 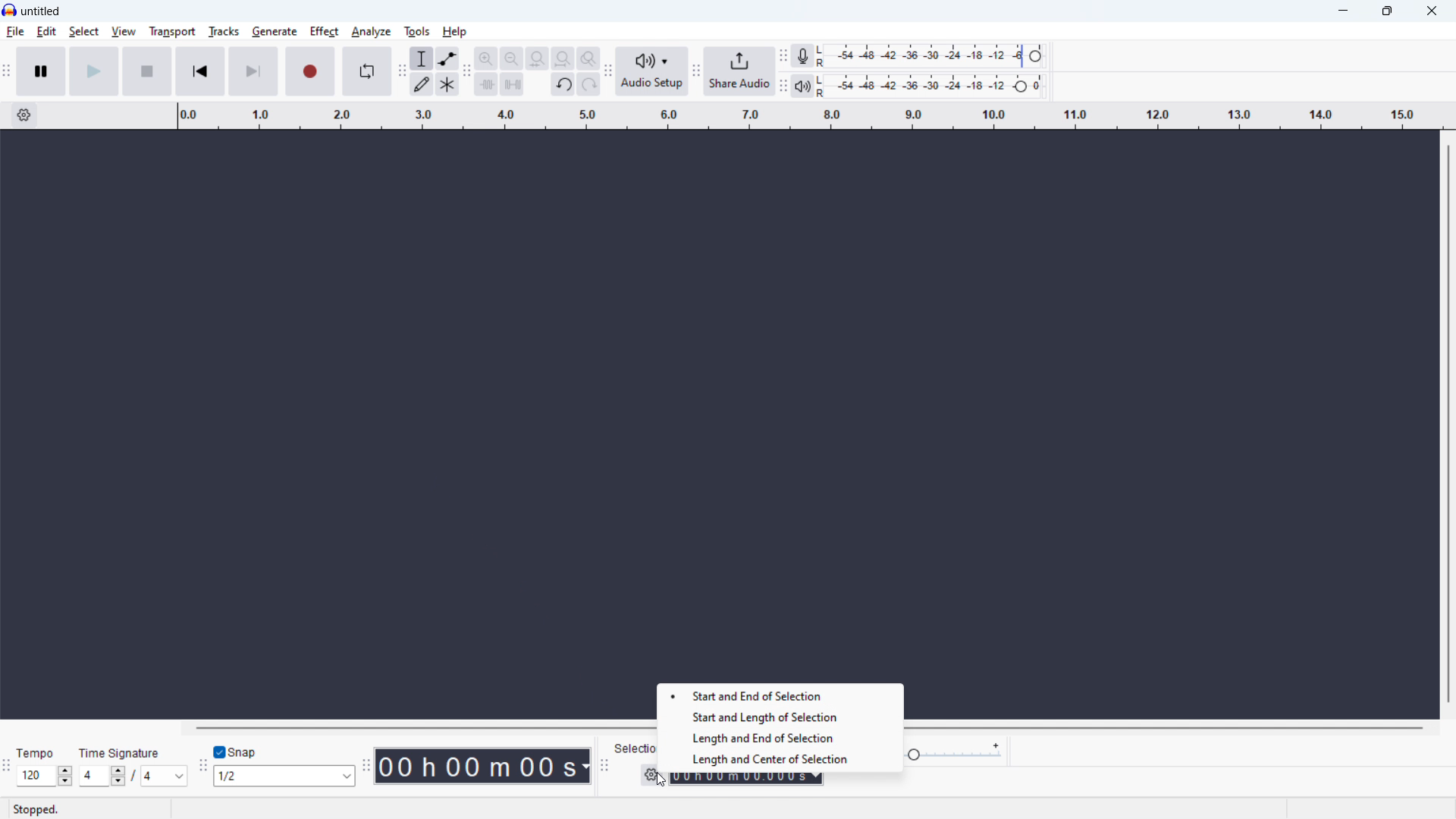 What do you see at coordinates (1430, 11) in the screenshot?
I see `close` at bounding box center [1430, 11].